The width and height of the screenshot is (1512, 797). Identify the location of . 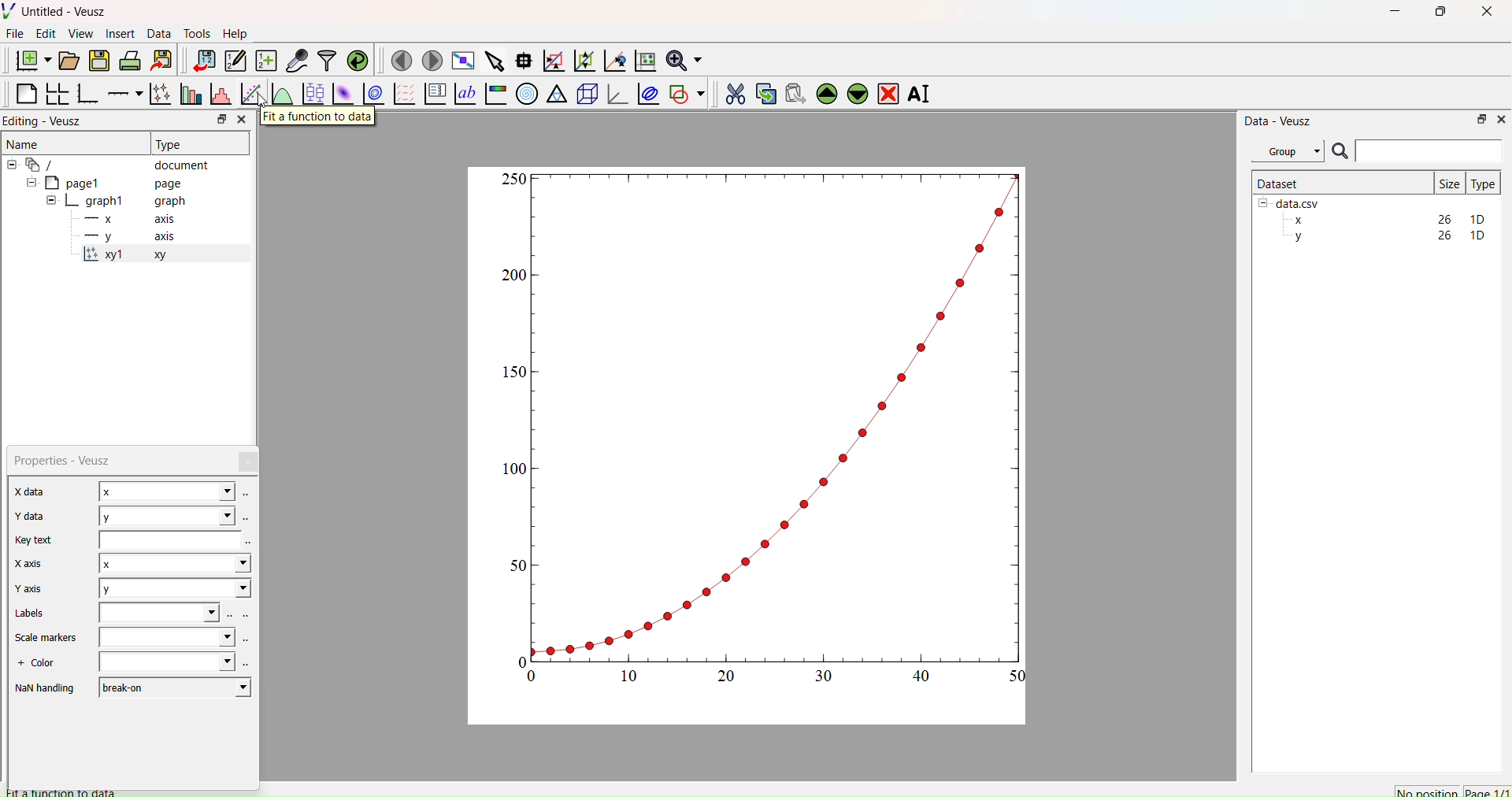
(170, 539).